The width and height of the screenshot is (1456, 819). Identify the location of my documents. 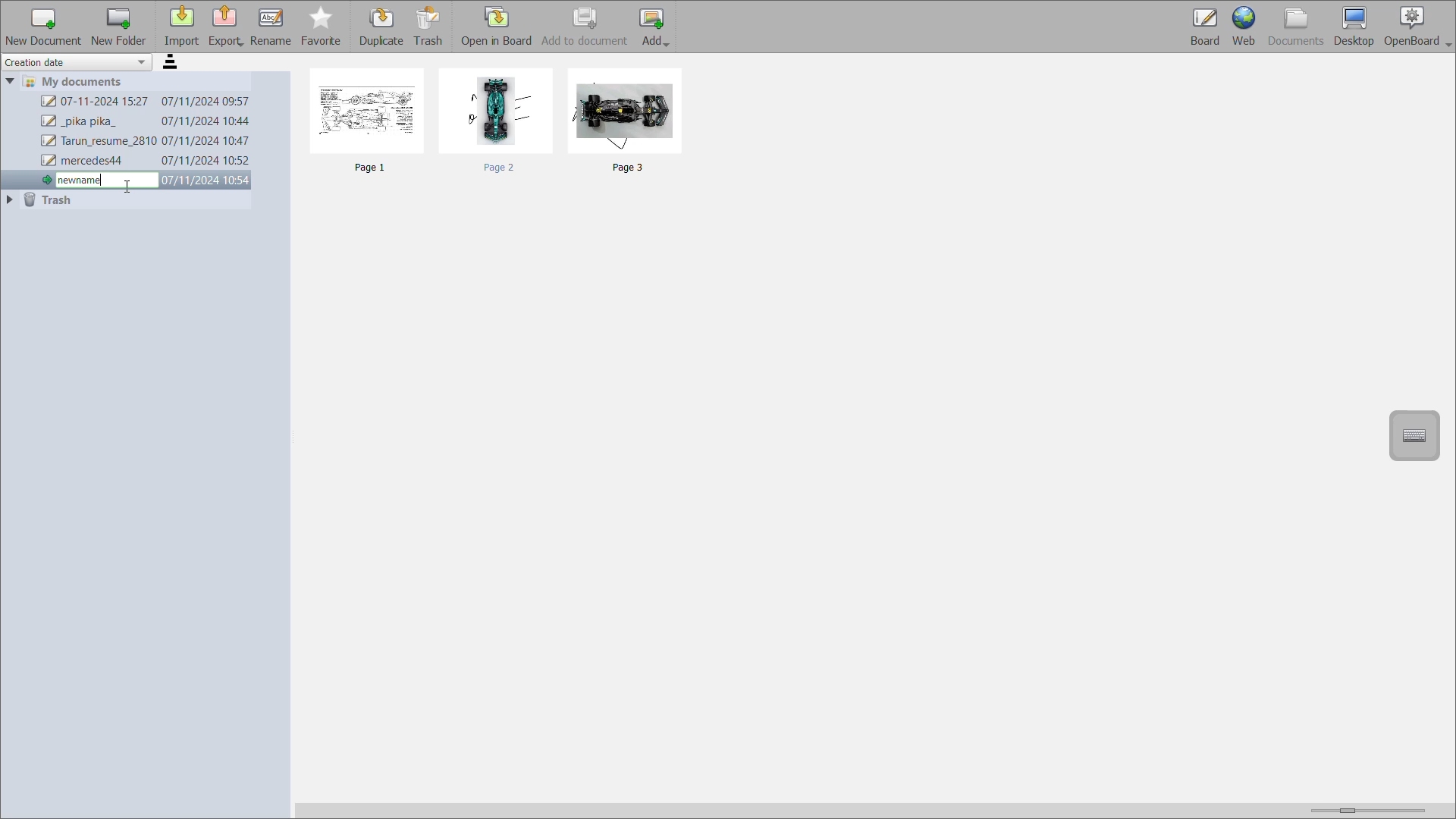
(80, 81).